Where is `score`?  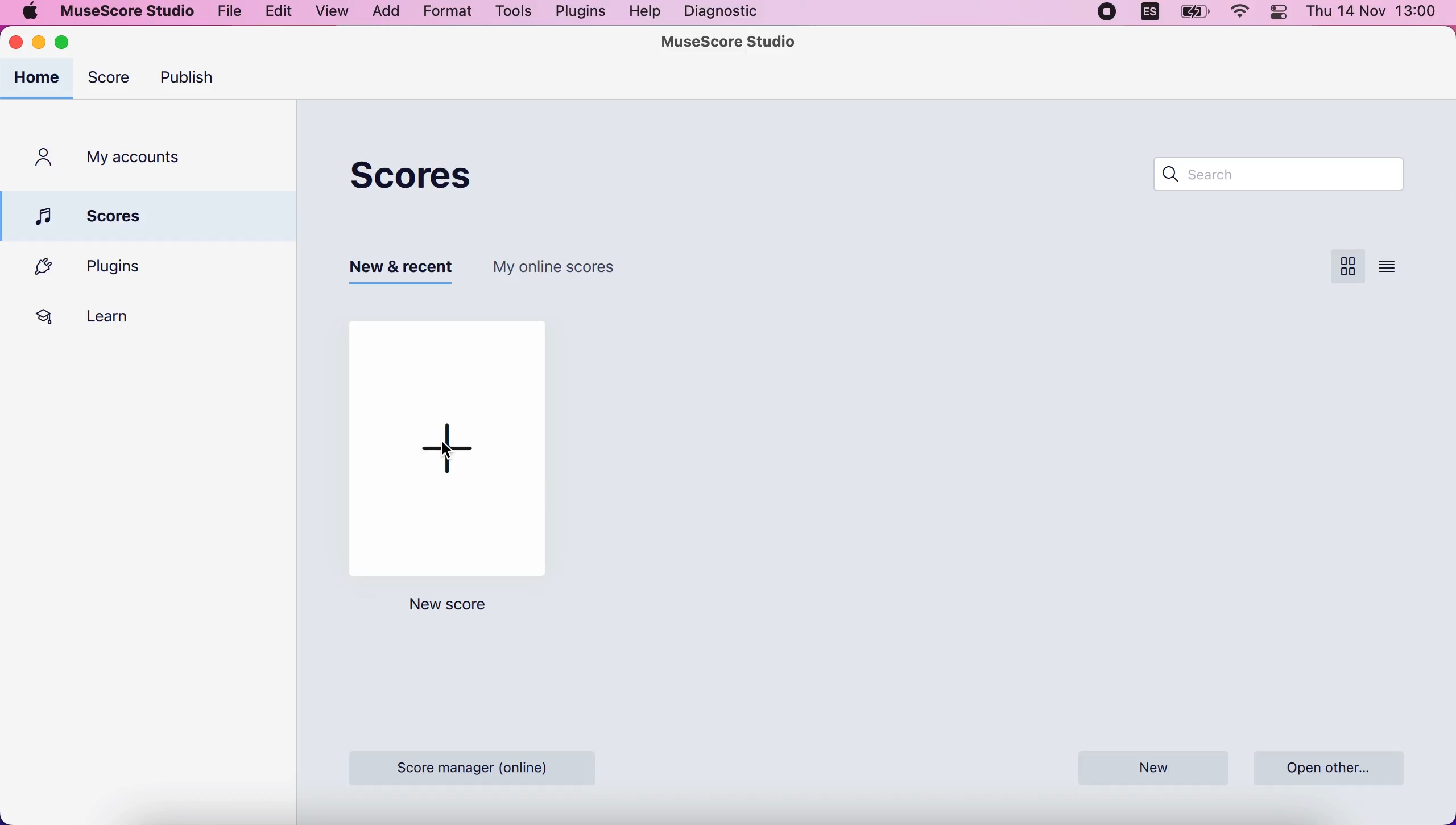 score is located at coordinates (112, 81).